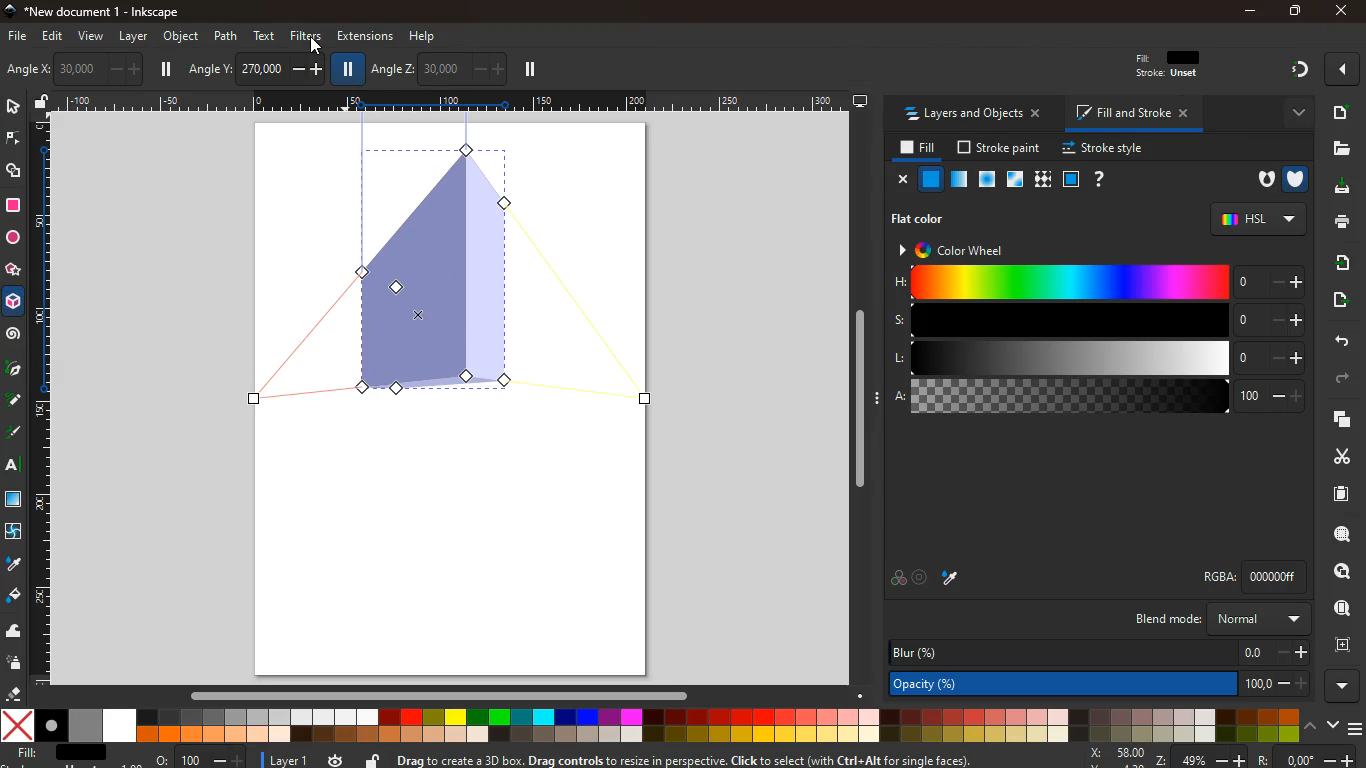 This screenshot has height=768, width=1366. Describe the element at coordinates (424, 34) in the screenshot. I see `help` at that location.